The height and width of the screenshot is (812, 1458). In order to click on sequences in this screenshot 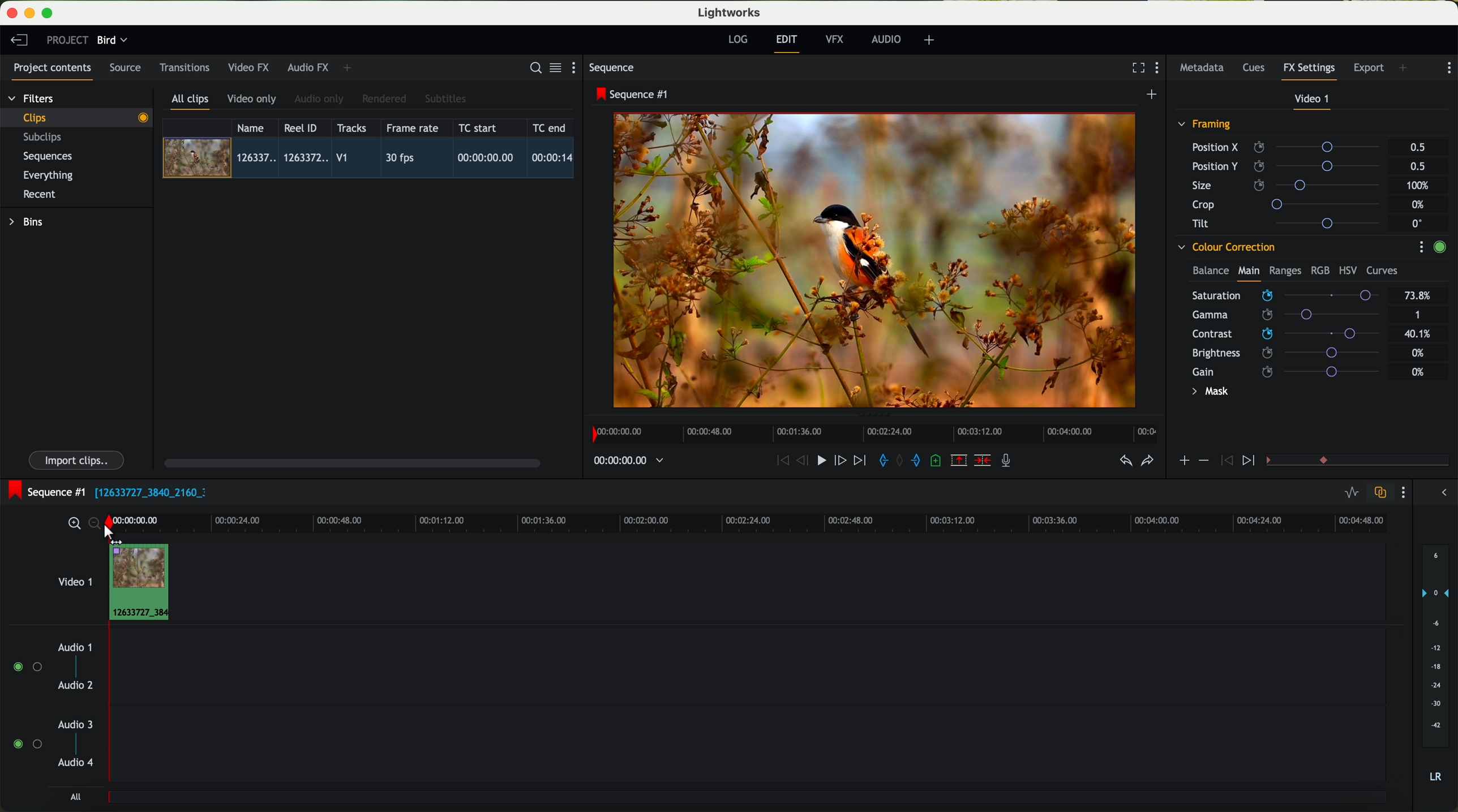, I will do `click(48, 157)`.